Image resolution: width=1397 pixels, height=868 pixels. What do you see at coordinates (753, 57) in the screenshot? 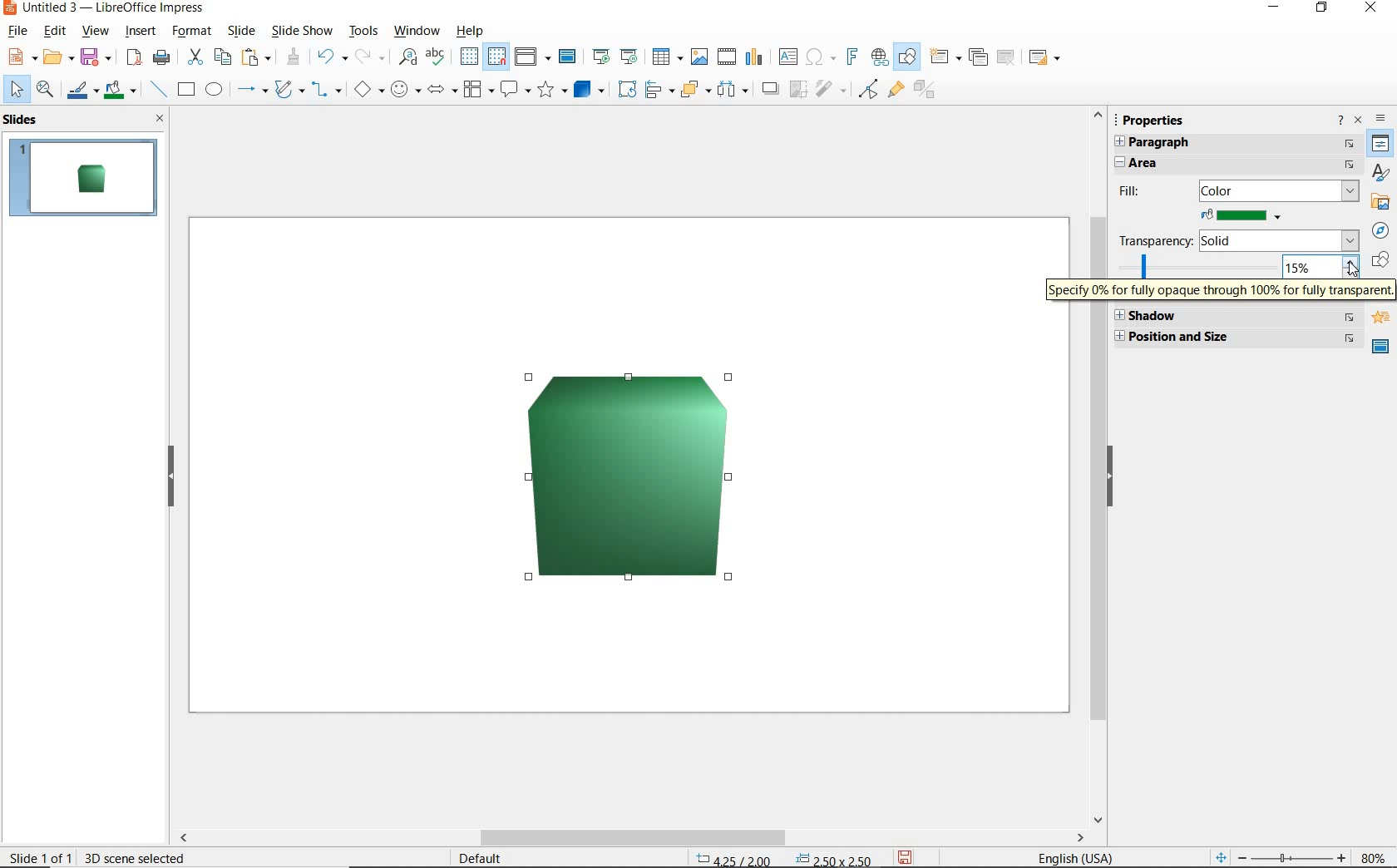
I see `insert chart` at bounding box center [753, 57].